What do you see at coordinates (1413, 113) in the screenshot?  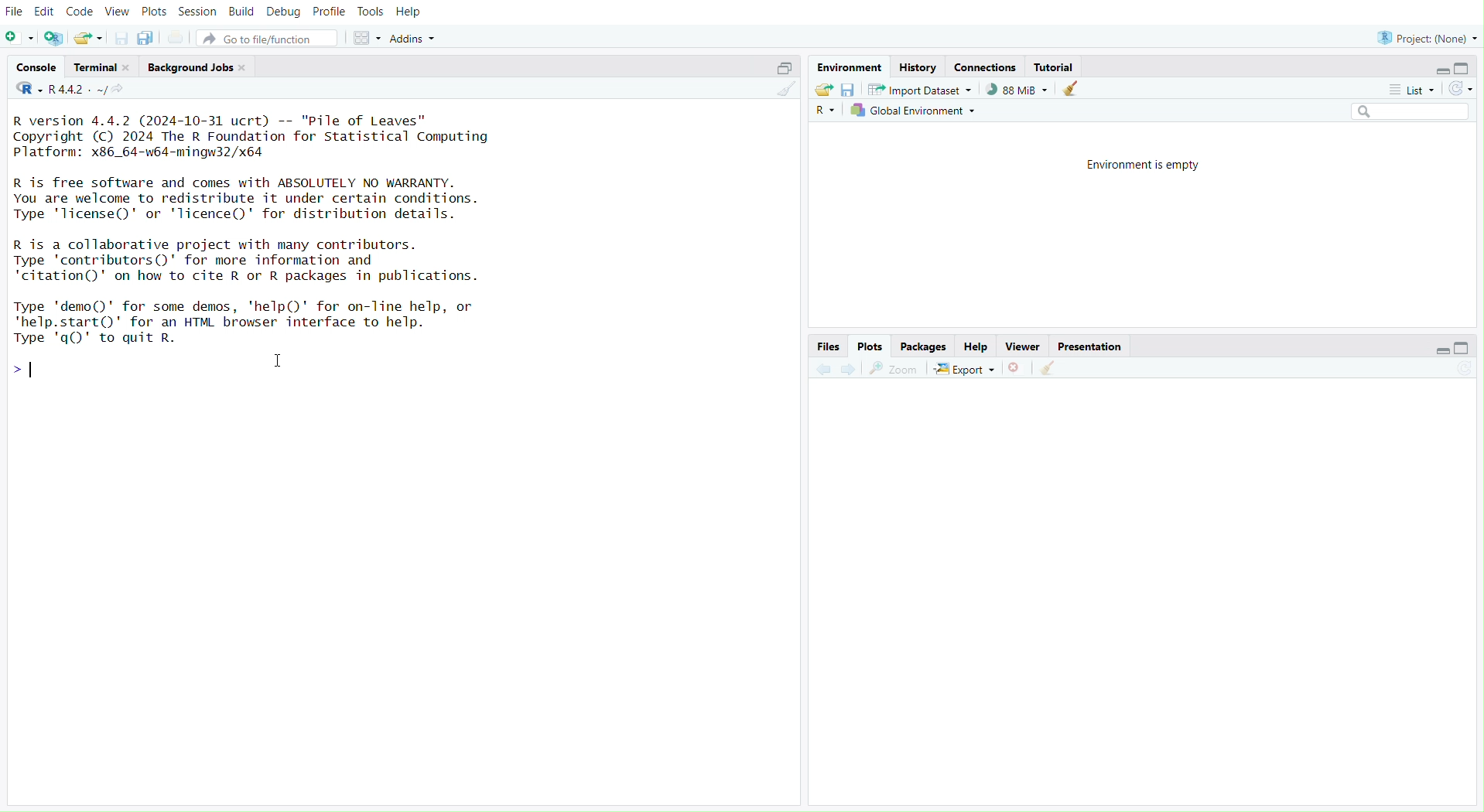 I see `Search bar` at bounding box center [1413, 113].